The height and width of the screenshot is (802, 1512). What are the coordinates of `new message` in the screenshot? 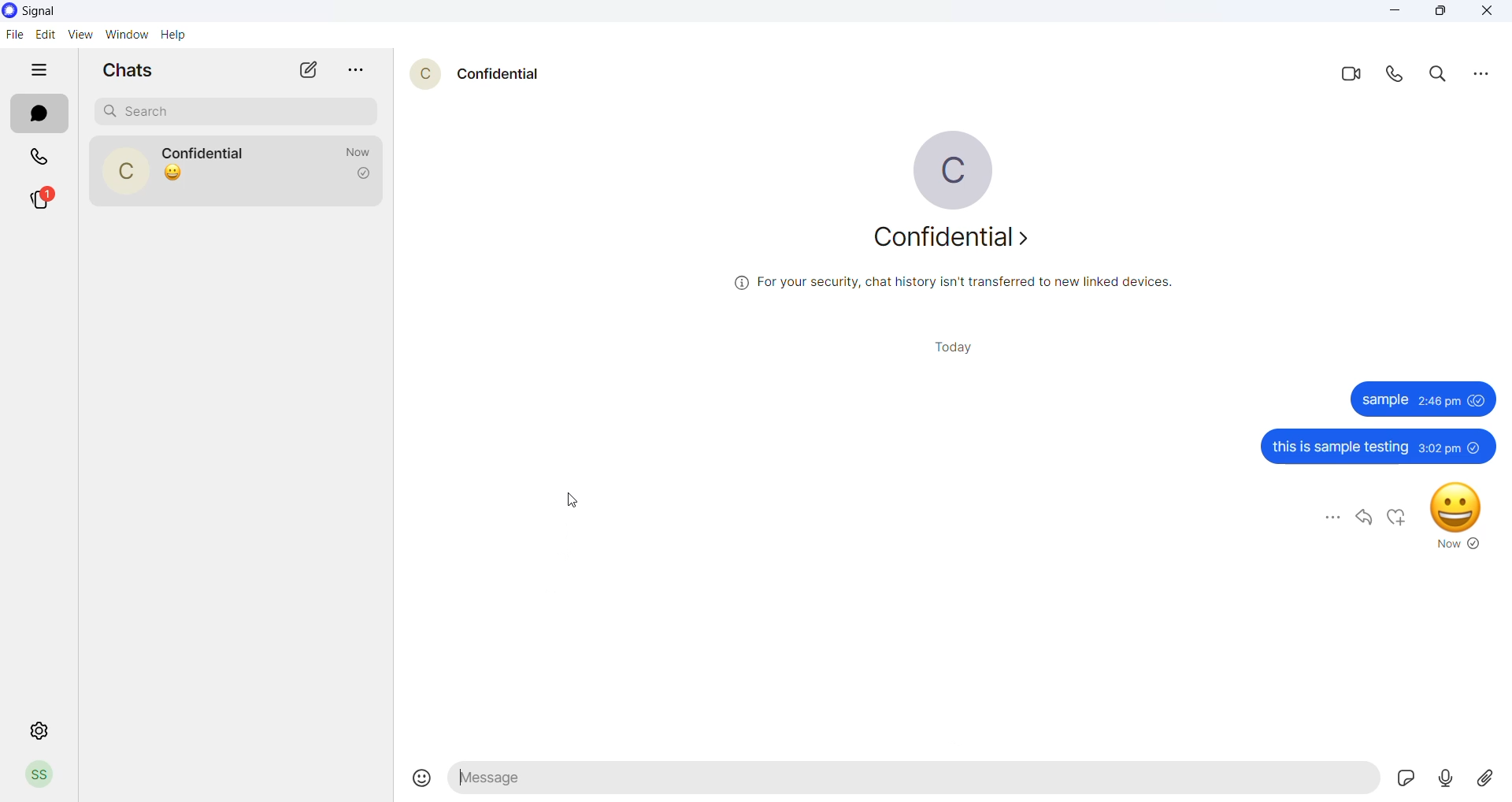 It's located at (311, 69).